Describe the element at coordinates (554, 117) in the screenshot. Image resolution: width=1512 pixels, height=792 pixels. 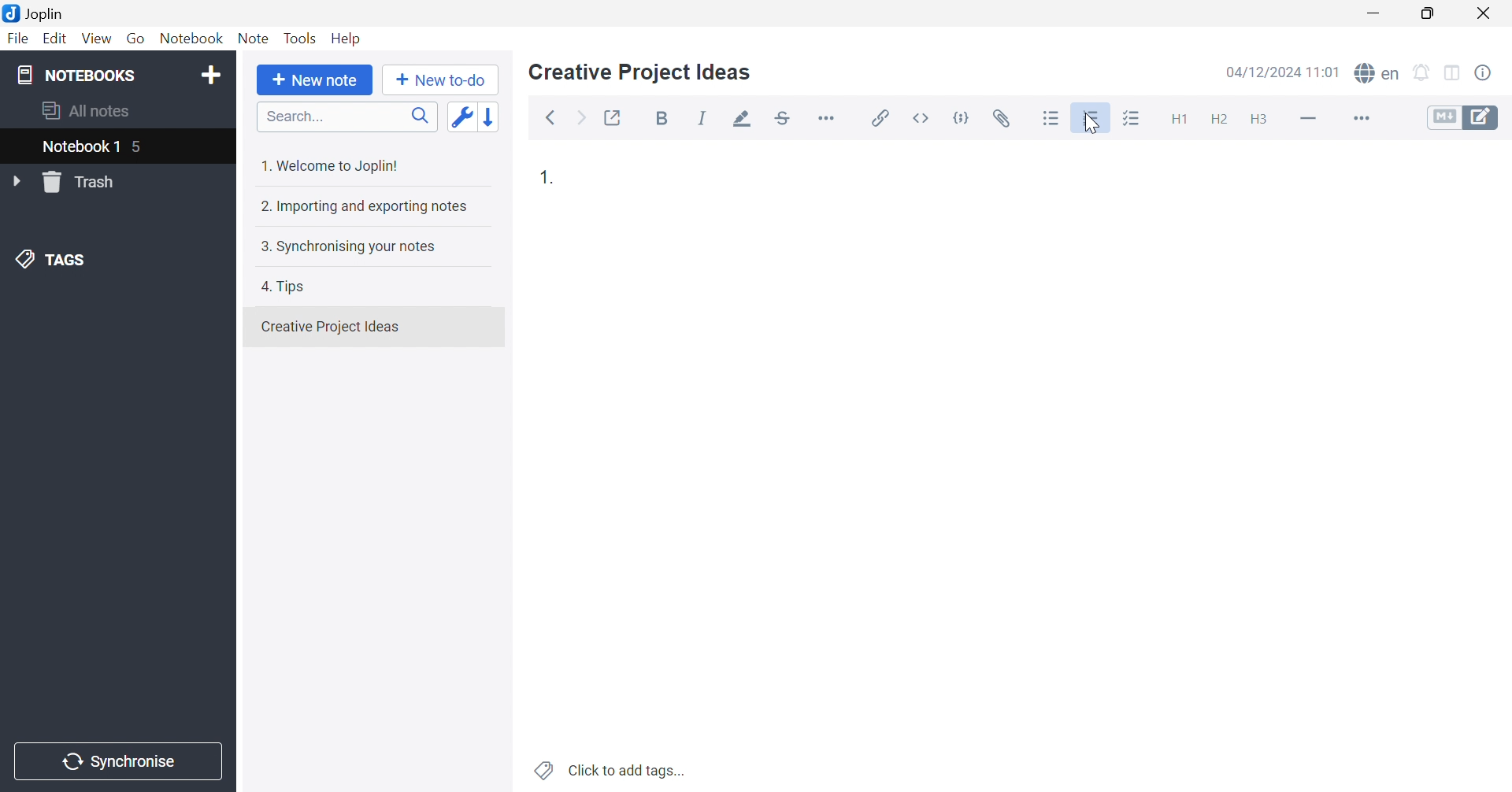
I see `Back` at that location.